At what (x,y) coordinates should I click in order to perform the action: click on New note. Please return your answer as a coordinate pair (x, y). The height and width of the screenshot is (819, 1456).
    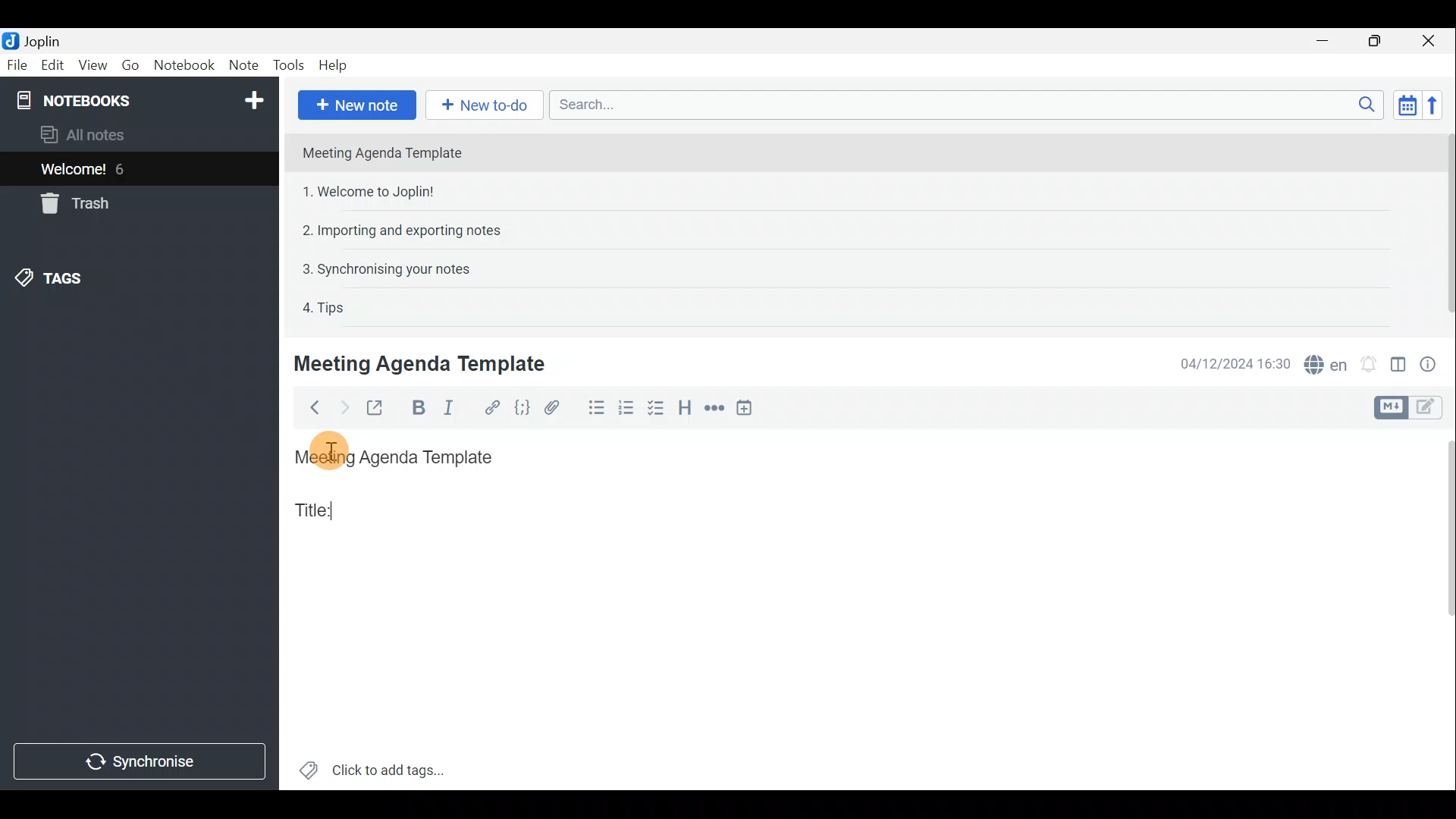
    Looking at the image, I should click on (357, 105).